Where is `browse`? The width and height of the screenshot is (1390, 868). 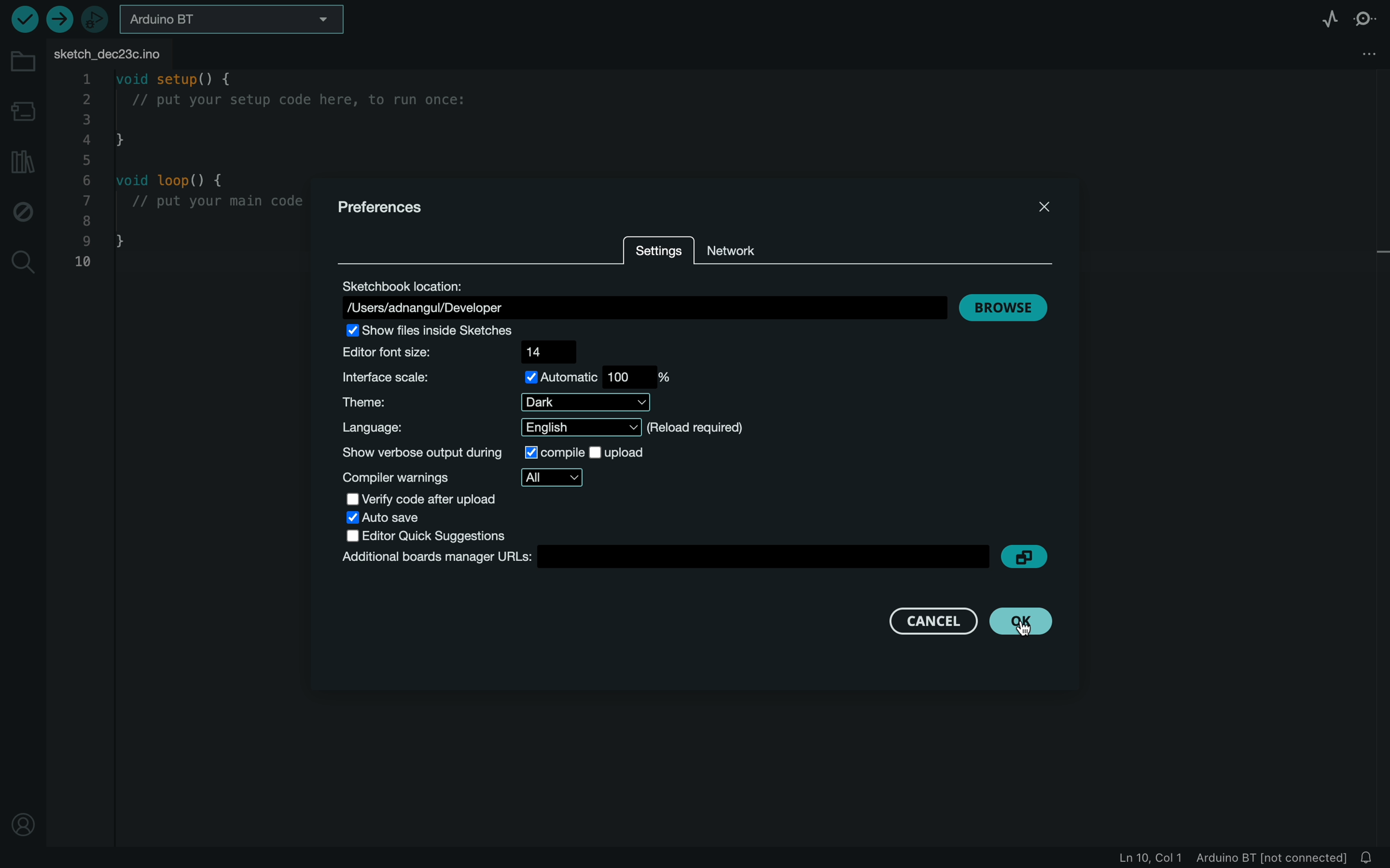 browse is located at coordinates (1005, 305).